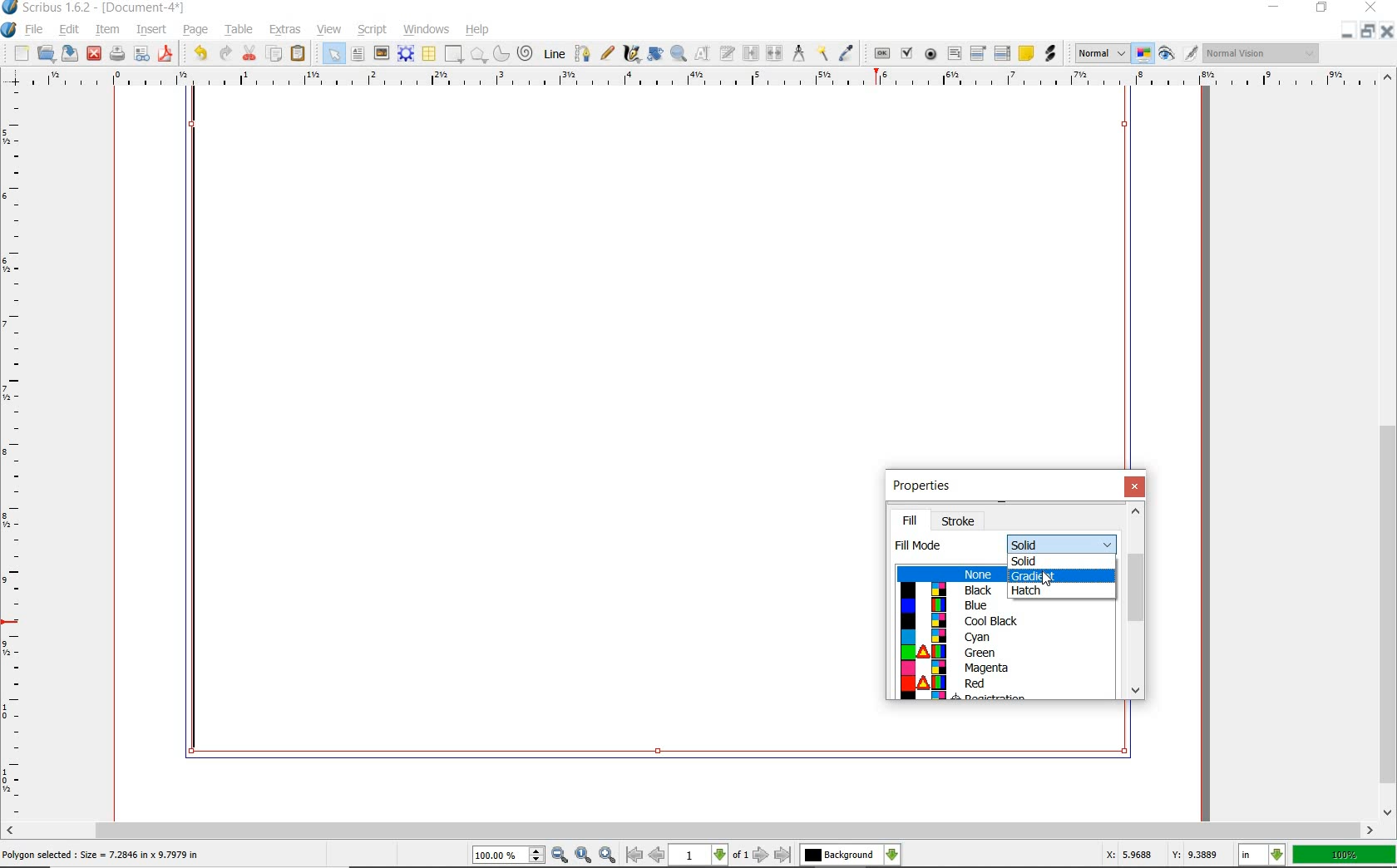  I want to click on preview mode, so click(1178, 55).